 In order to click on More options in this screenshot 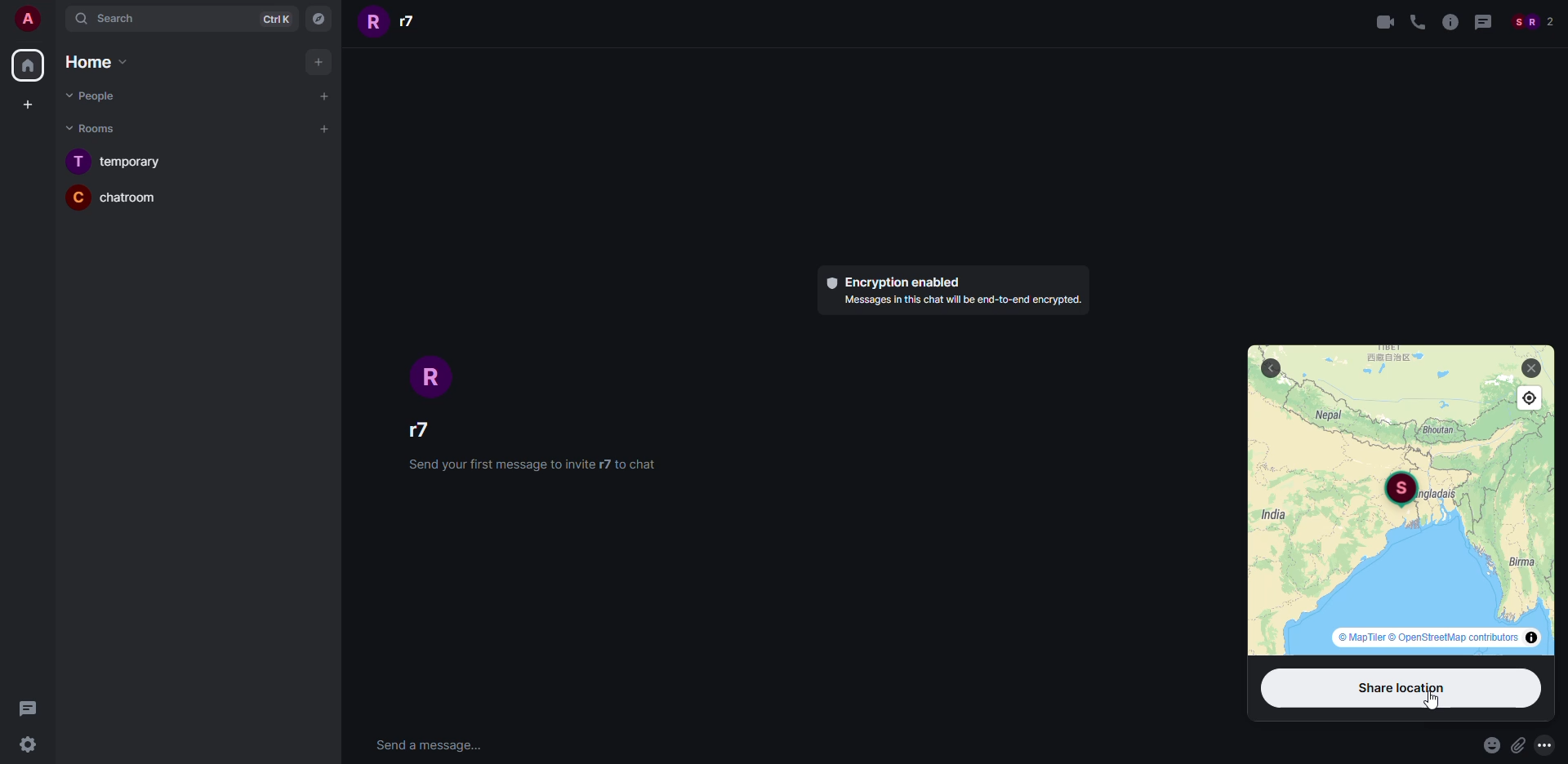, I will do `click(1546, 744)`.